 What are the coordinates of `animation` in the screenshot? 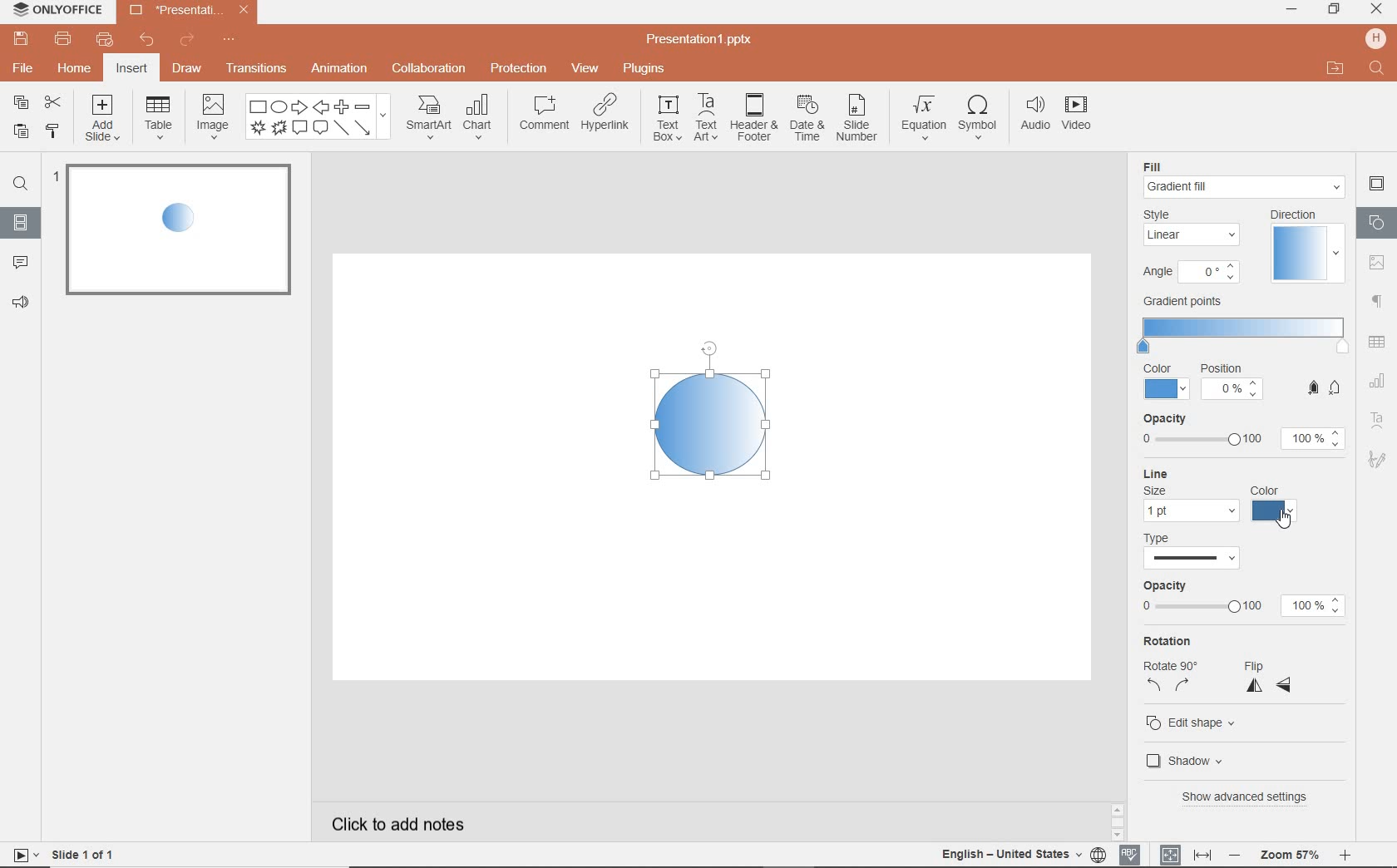 It's located at (339, 70).